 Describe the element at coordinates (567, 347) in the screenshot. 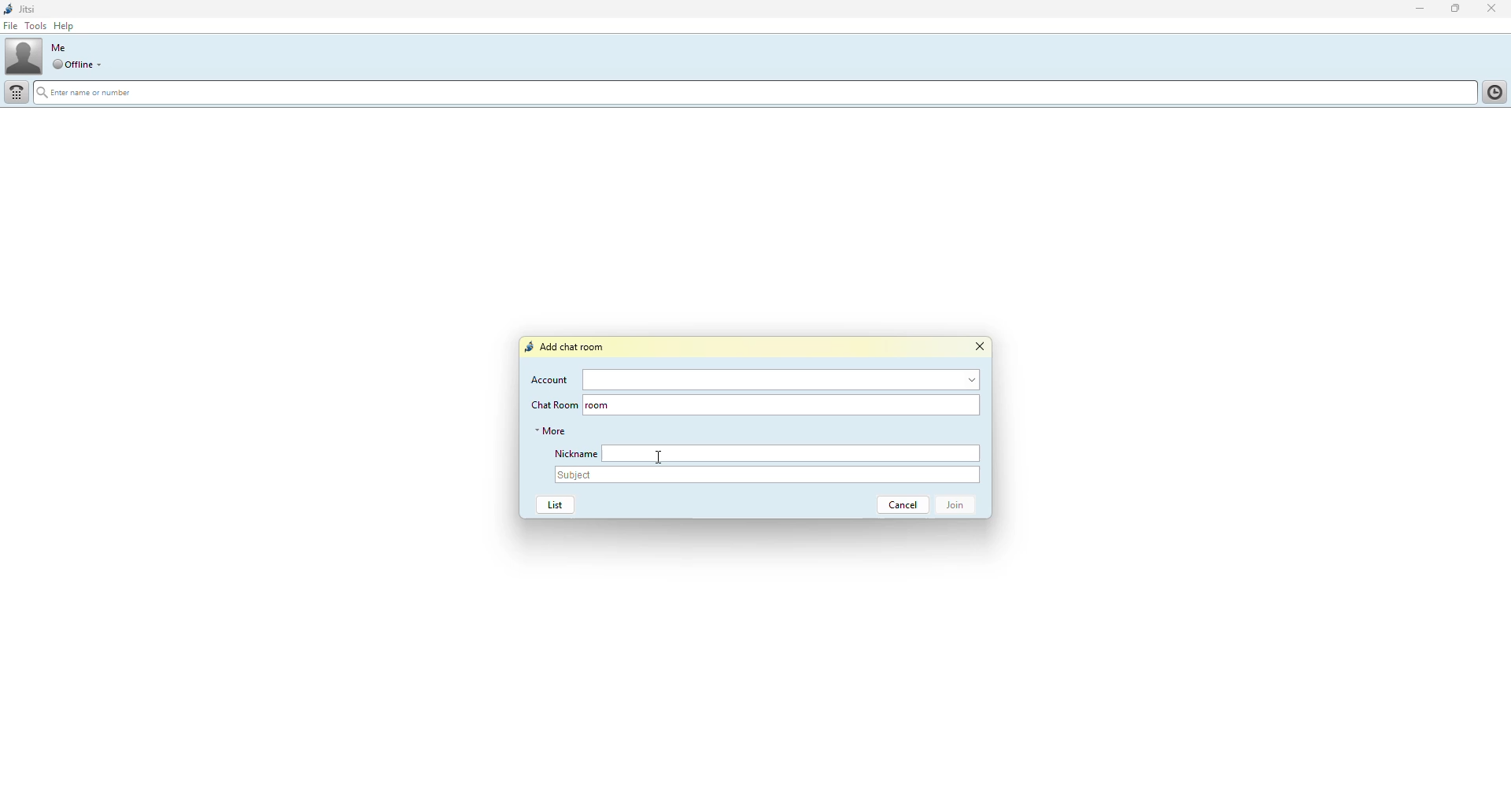

I see `add chat room` at that location.